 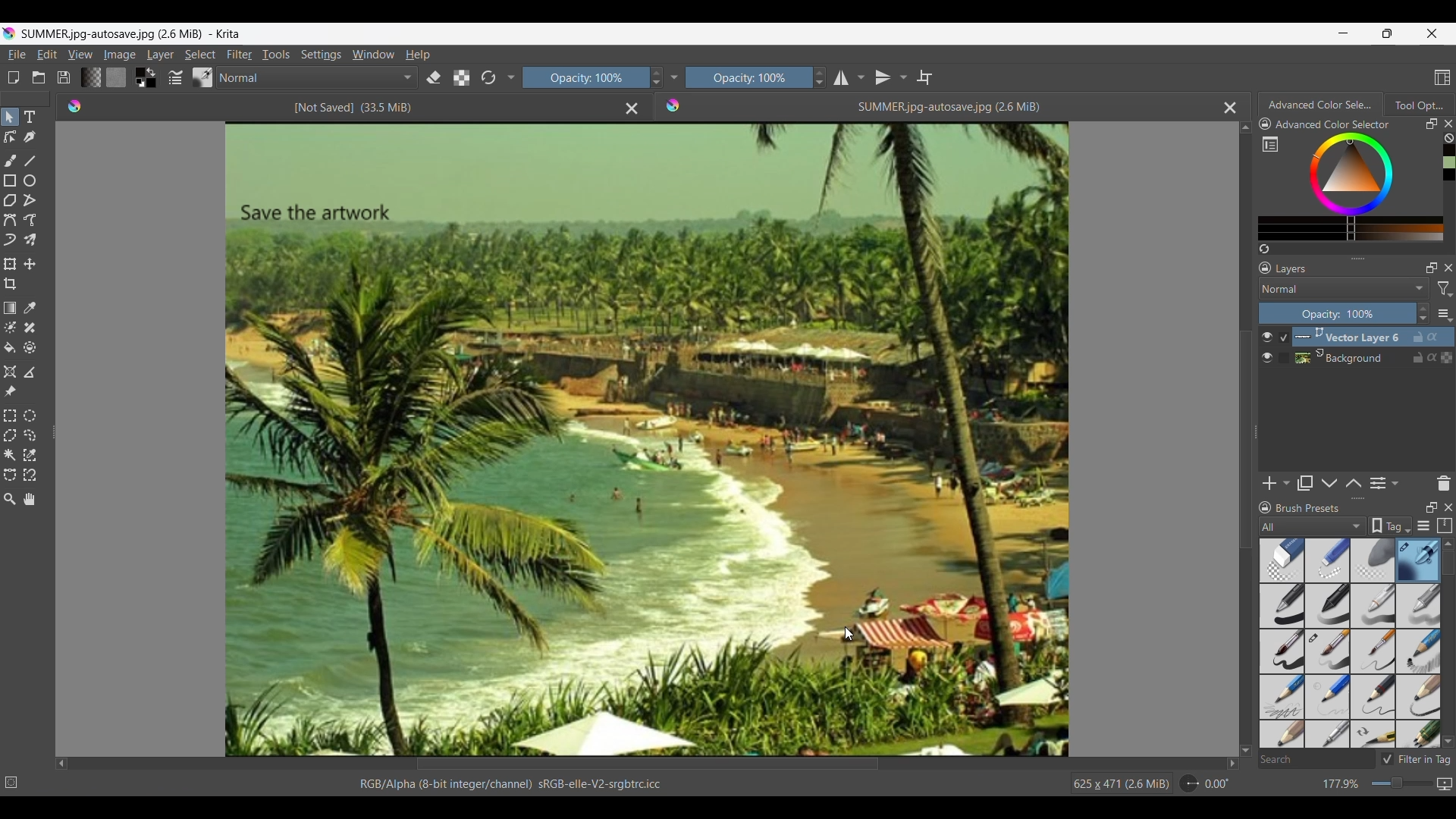 I want to click on Draw a gradient, so click(x=9, y=308).